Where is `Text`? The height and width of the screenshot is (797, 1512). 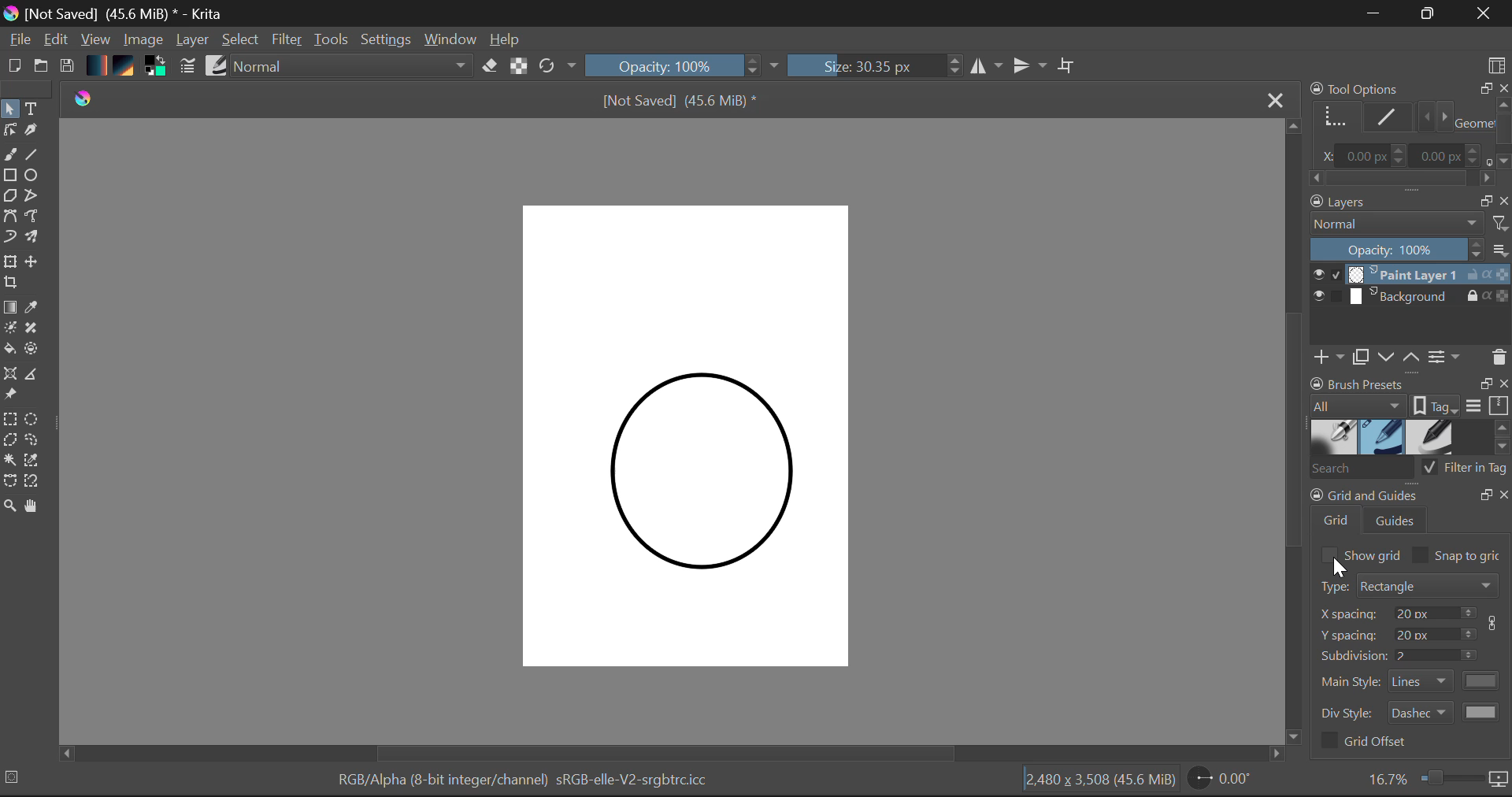 Text is located at coordinates (32, 108).